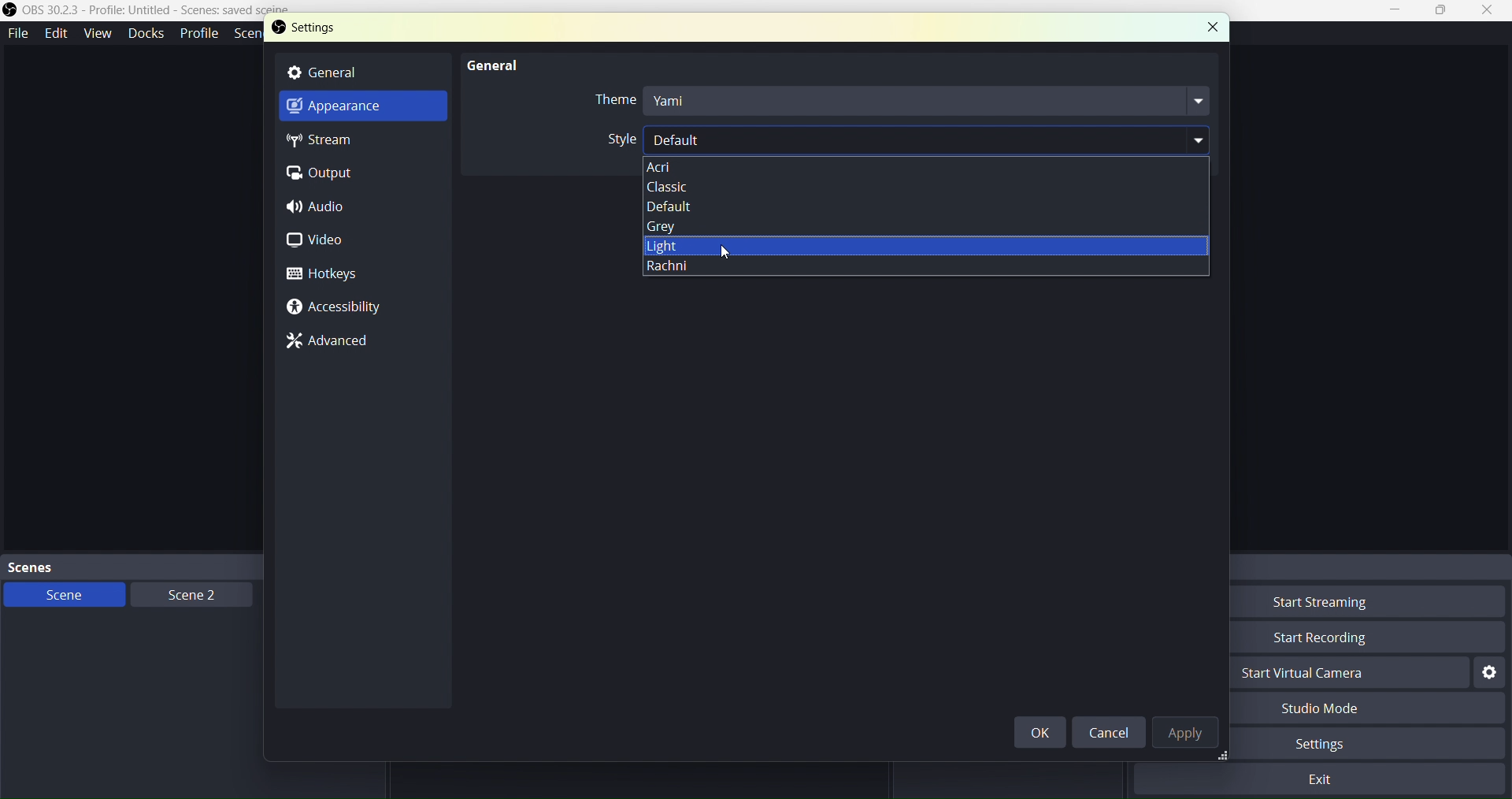  I want to click on Settings, so click(1491, 673).